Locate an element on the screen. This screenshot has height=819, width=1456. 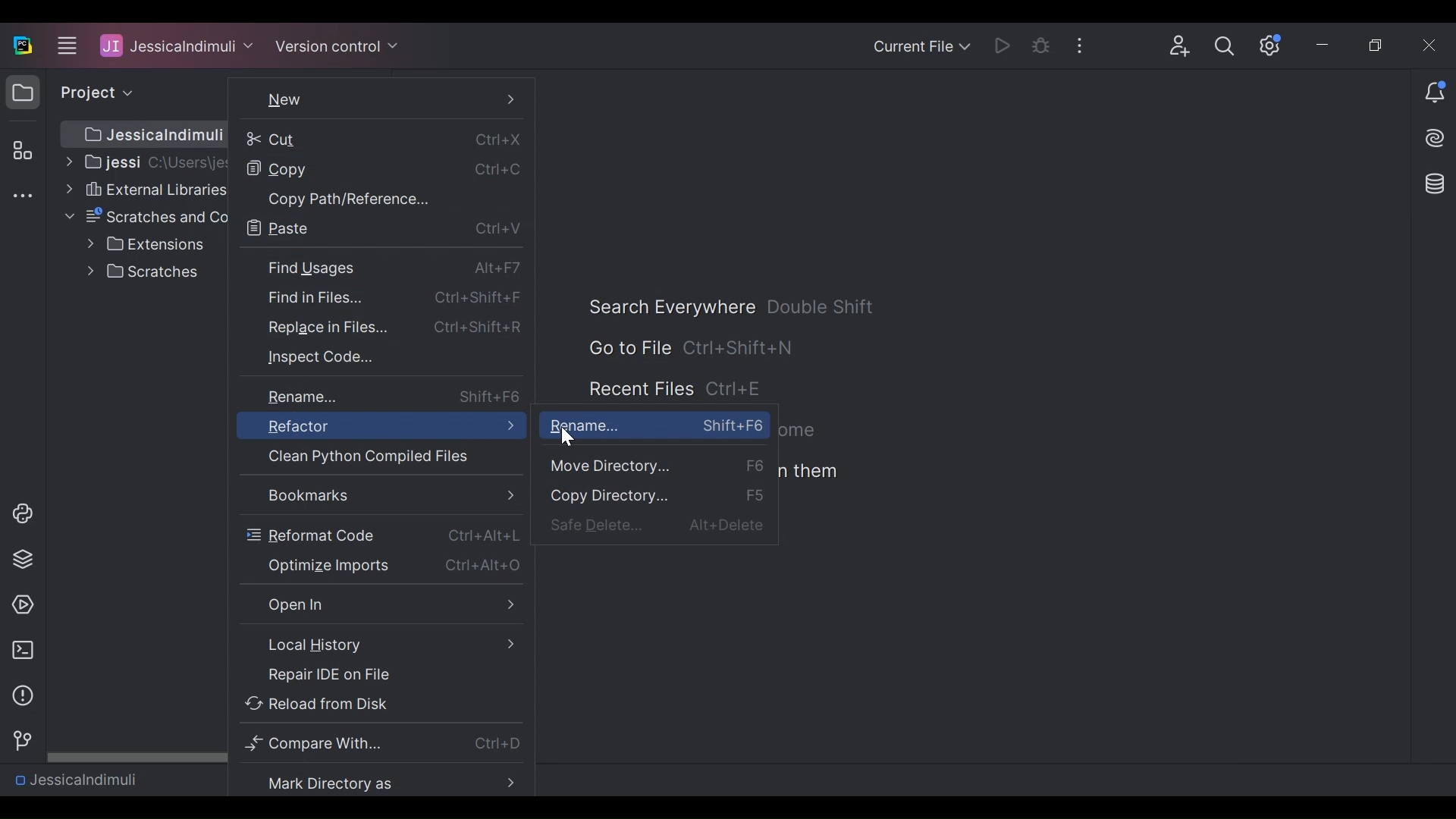
PyCharm Desktop Icon is located at coordinates (24, 46).